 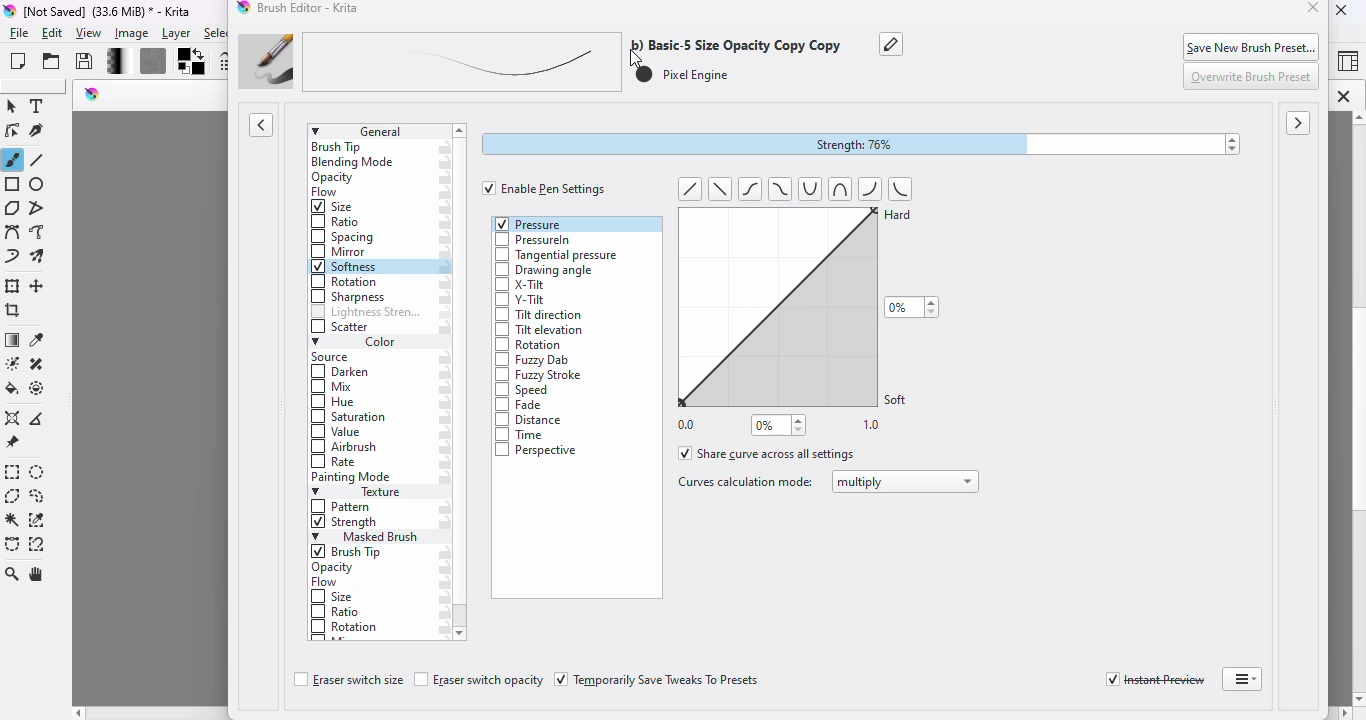 What do you see at coordinates (1253, 77) in the screenshot?
I see `overwrite brush preset` at bounding box center [1253, 77].